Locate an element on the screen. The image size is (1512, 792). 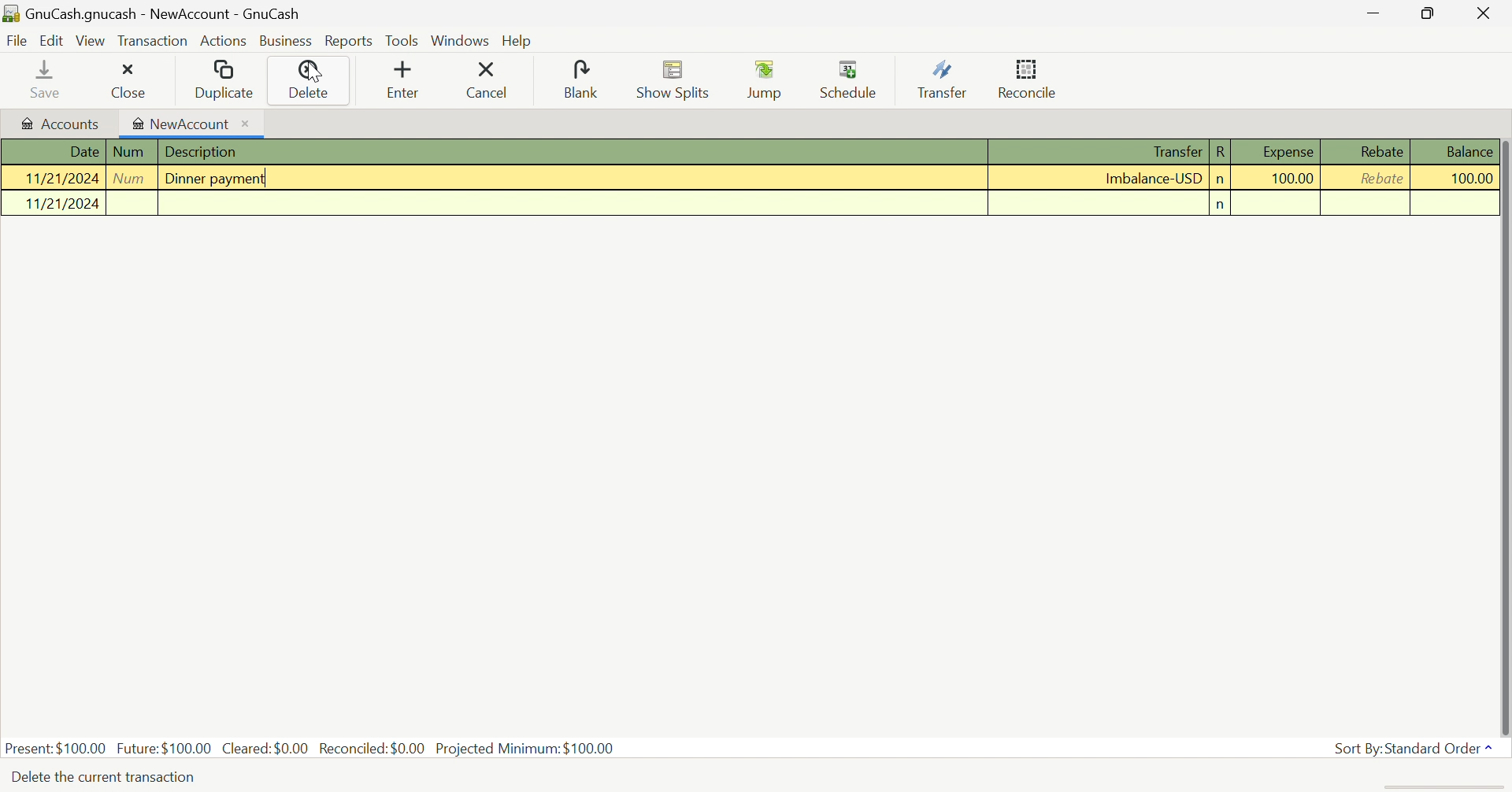
100.00 is located at coordinates (1470, 180).